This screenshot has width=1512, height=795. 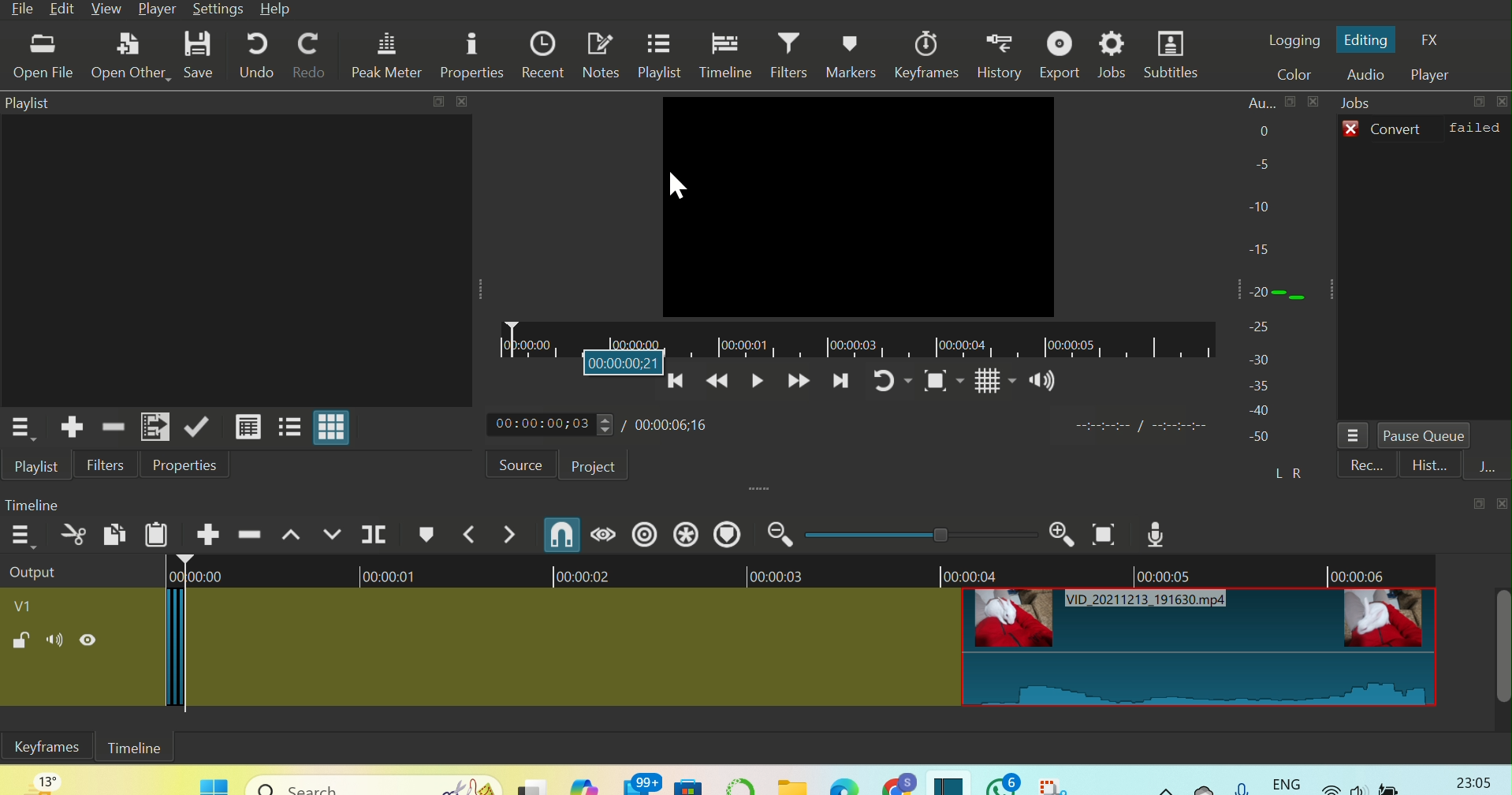 What do you see at coordinates (473, 52) in the screenshot?
I see `Properties` at bounding box center [473, 52].